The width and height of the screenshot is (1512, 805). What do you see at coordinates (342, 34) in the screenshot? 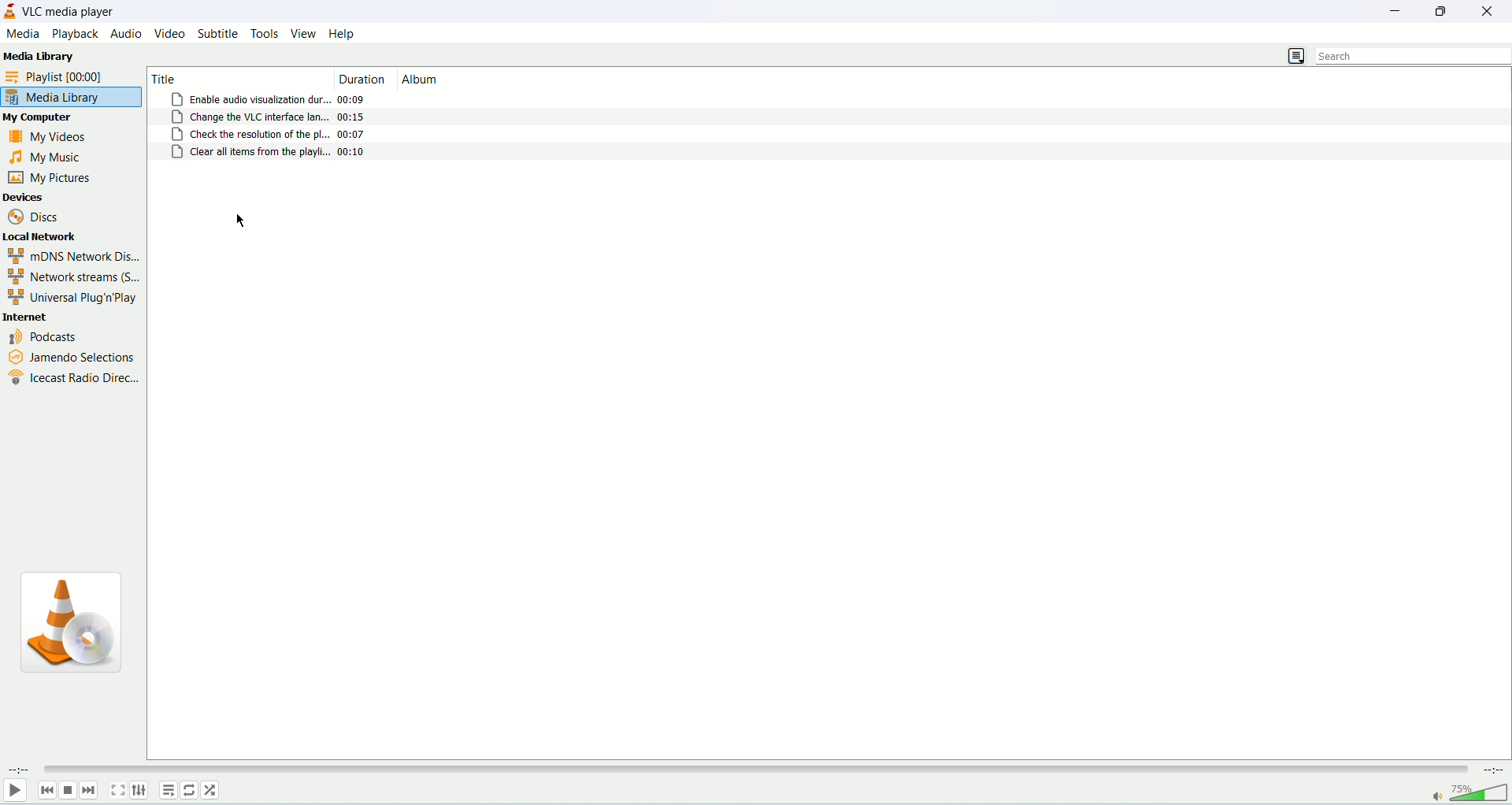
I see `help` at bounding box center [342, 34].